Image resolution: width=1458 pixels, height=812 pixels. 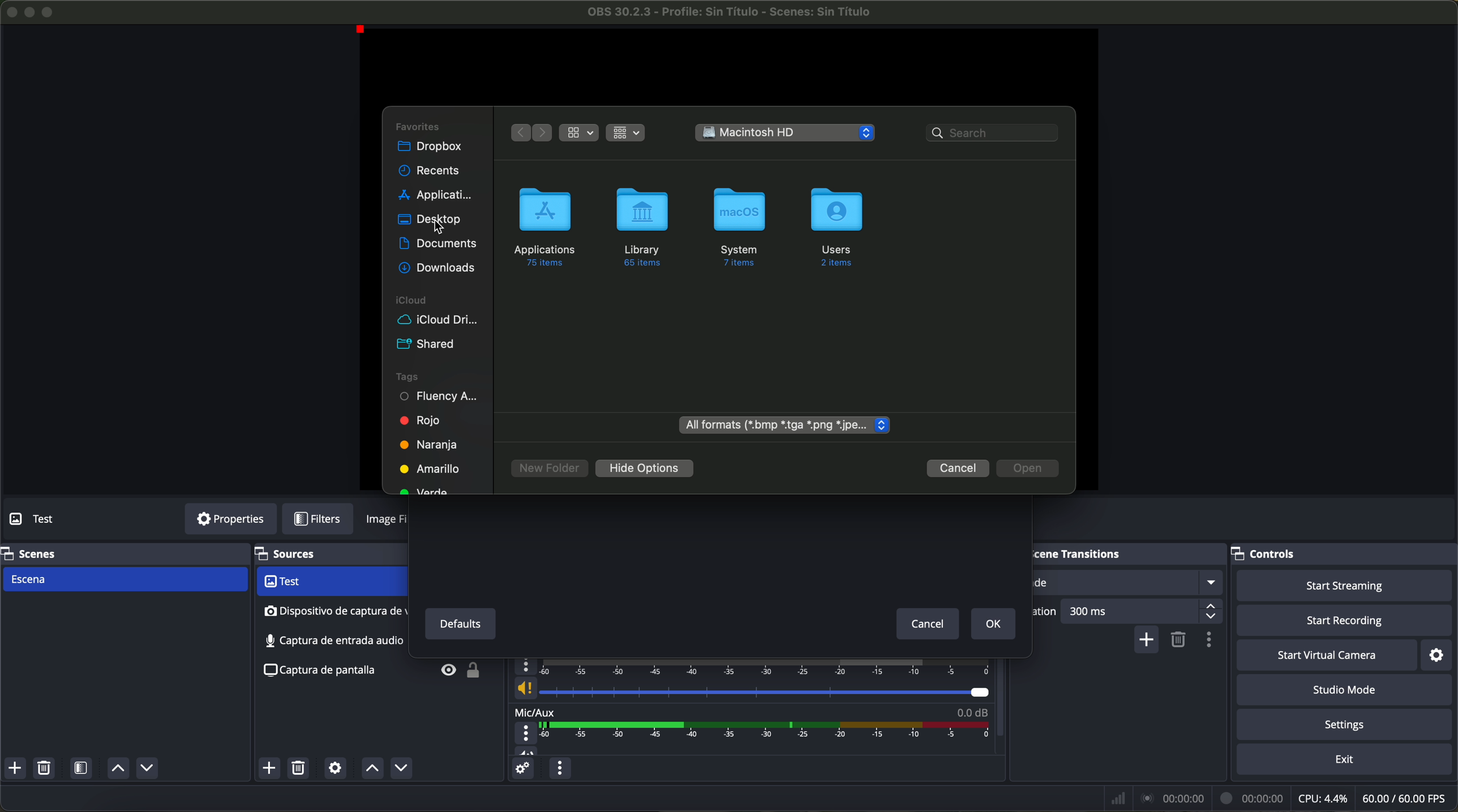 What do you see at coordinates (324, 519) in the screenshot?
I see `filters` at bounding box center [324, 519].